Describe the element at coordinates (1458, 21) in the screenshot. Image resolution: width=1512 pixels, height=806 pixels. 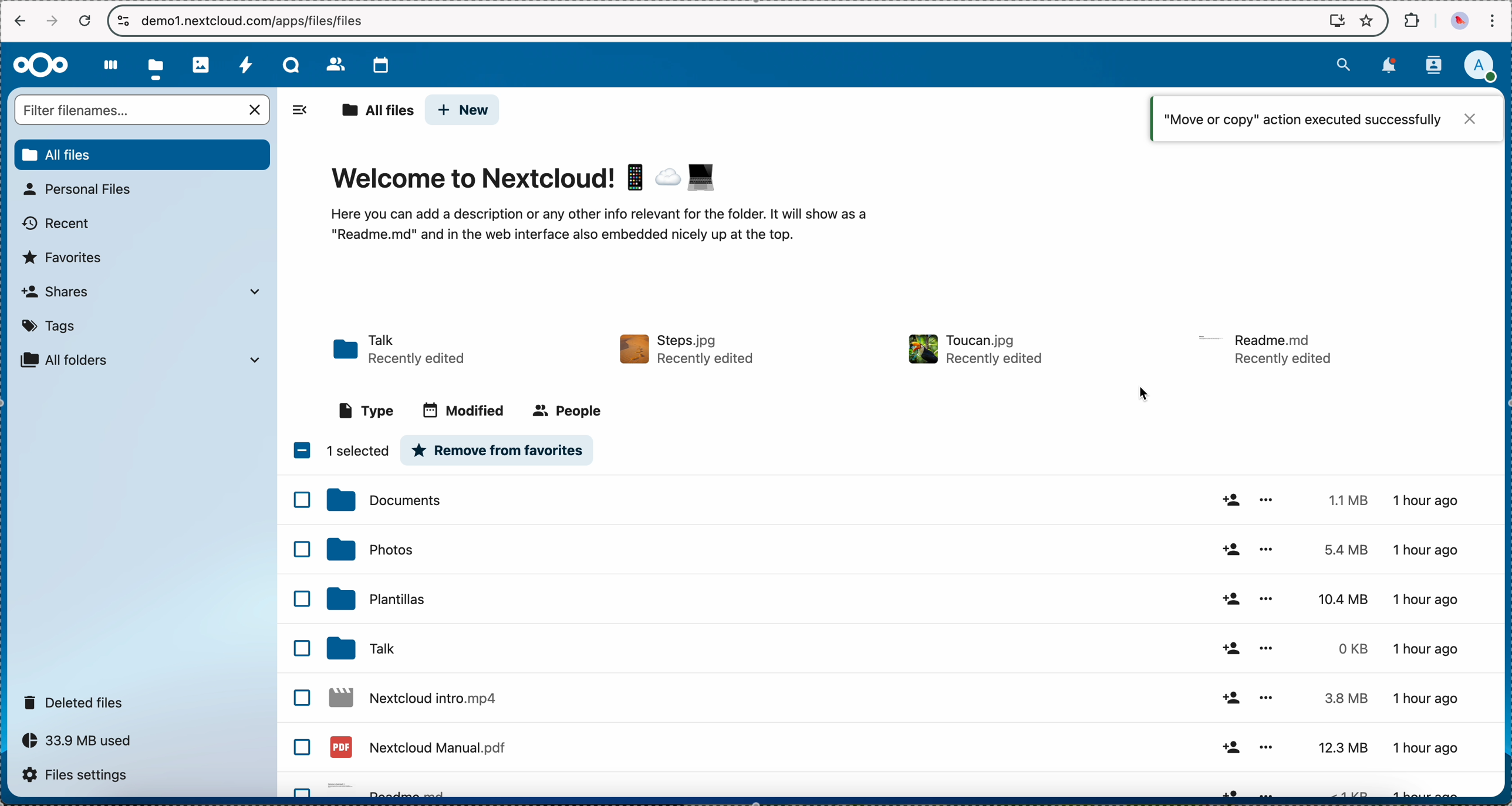
I see `profile picture` at that location.